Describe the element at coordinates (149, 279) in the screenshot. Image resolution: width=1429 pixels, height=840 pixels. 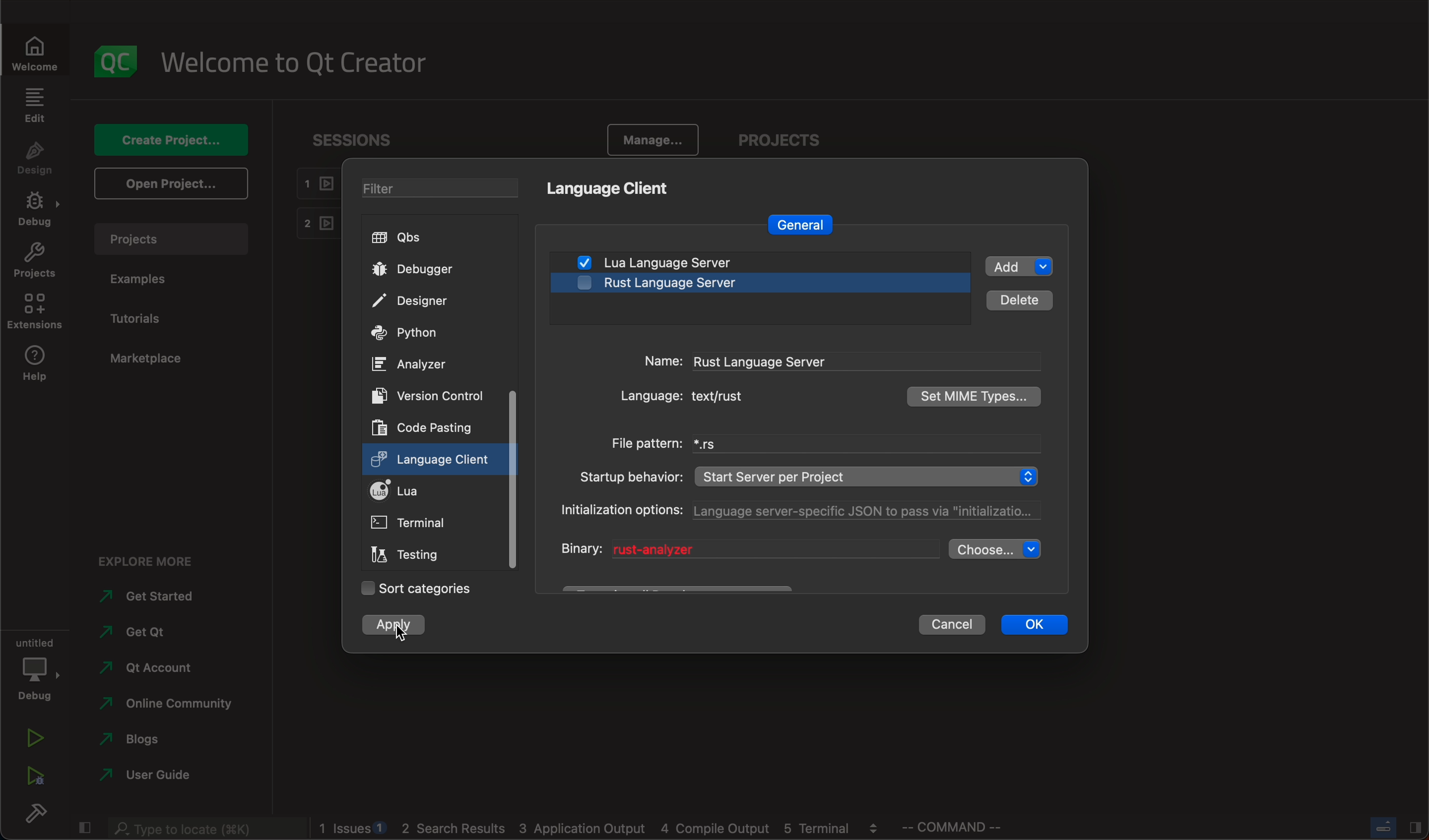
I see `examples` at that location.